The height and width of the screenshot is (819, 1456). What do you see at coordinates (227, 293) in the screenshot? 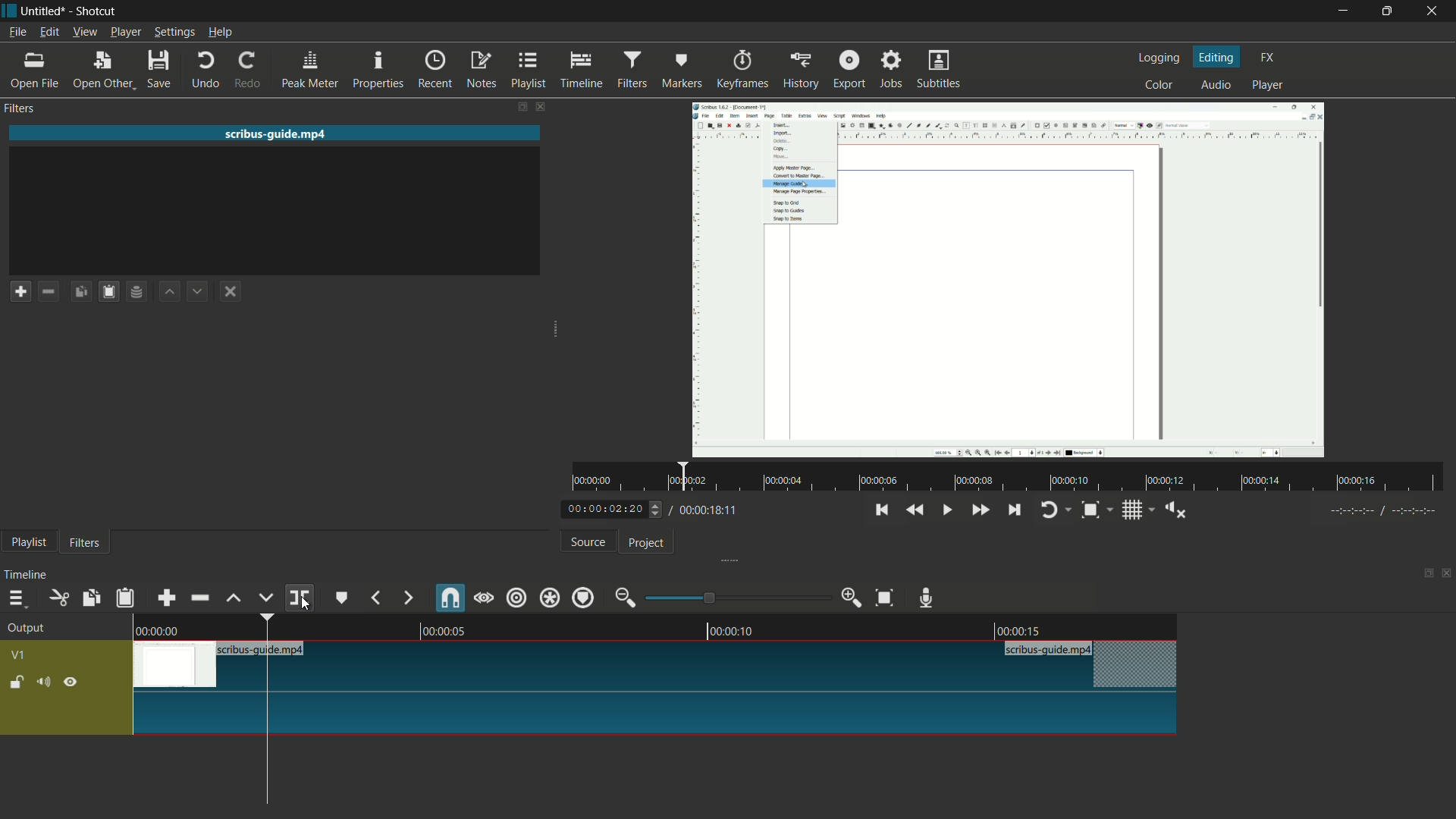
I see `deselect the filter` at bounding box center [227, 293].